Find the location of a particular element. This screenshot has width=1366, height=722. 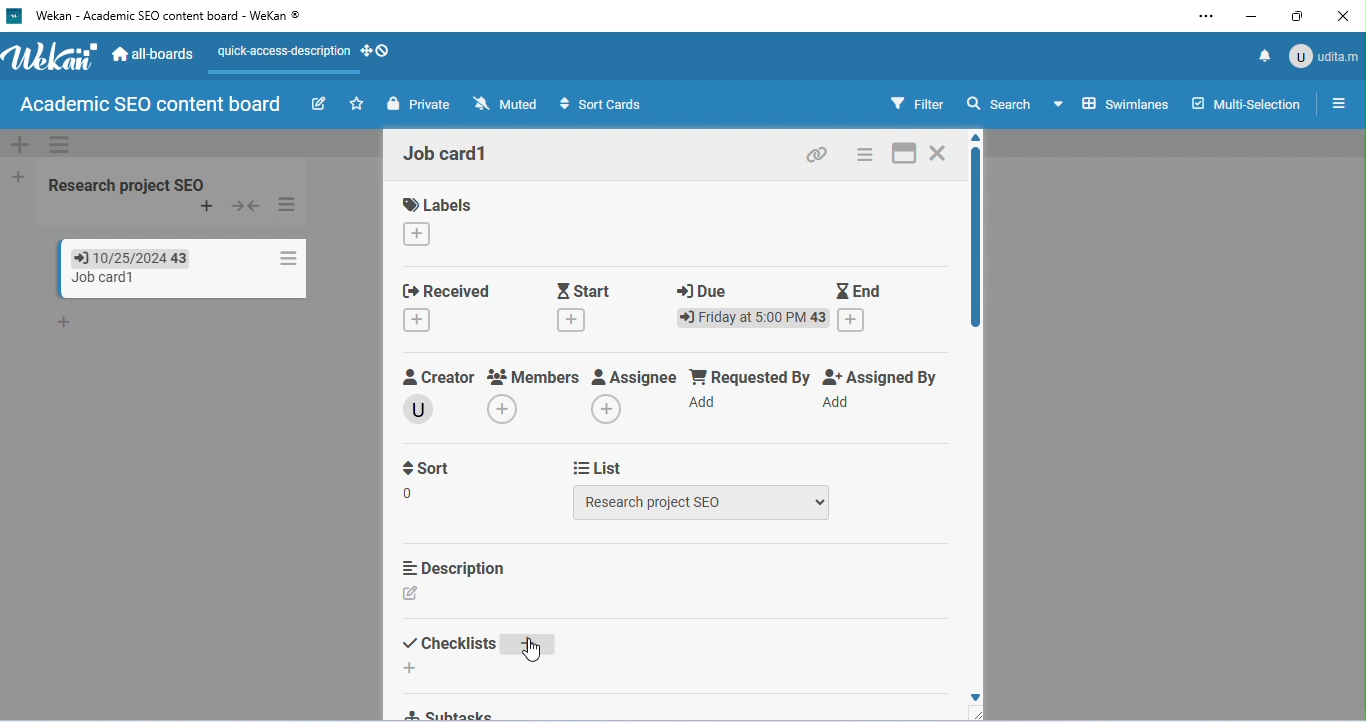

notification is located at coordinates (1262, 55).